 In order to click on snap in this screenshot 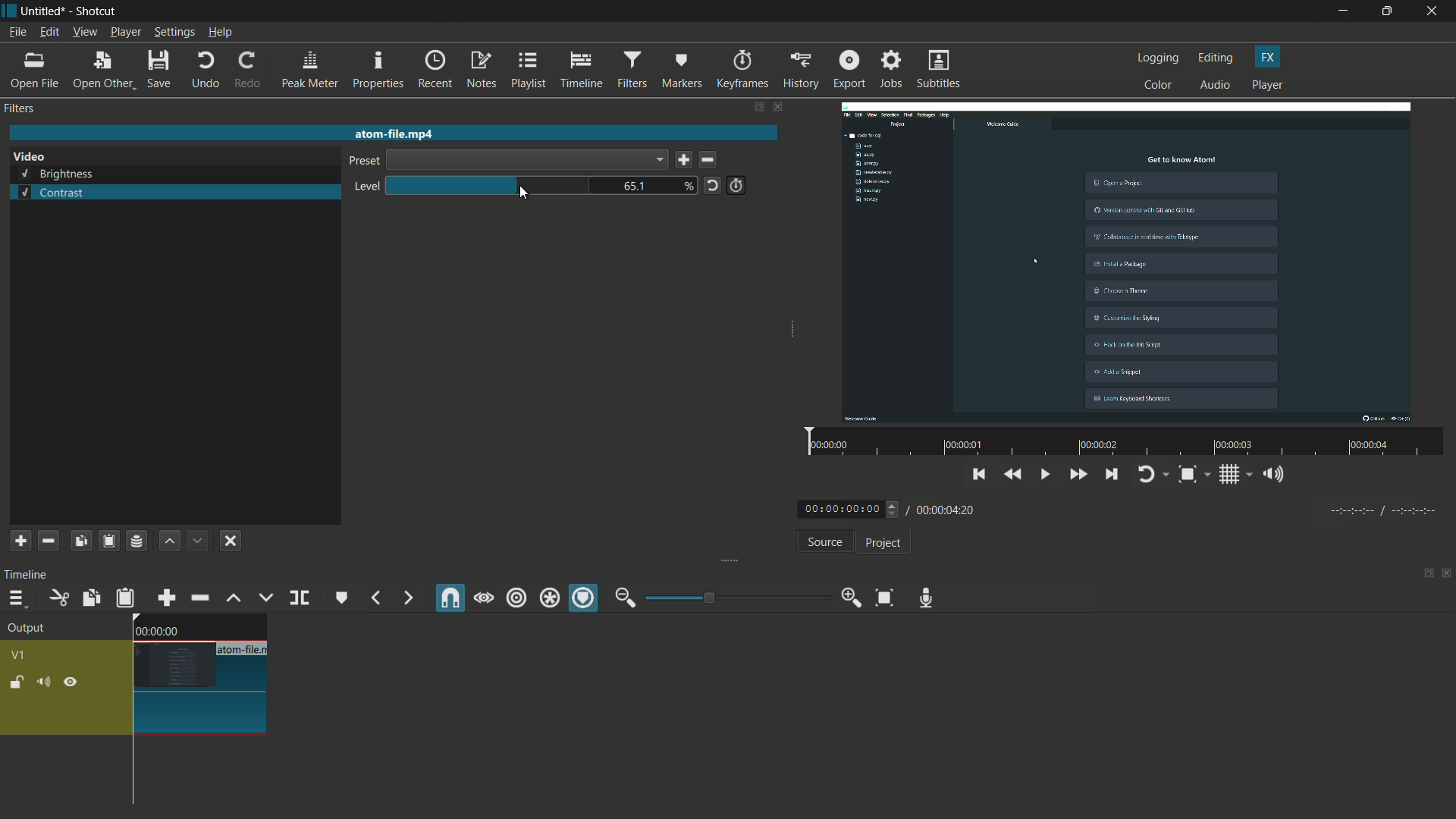, I will do `click(451, 598)`.